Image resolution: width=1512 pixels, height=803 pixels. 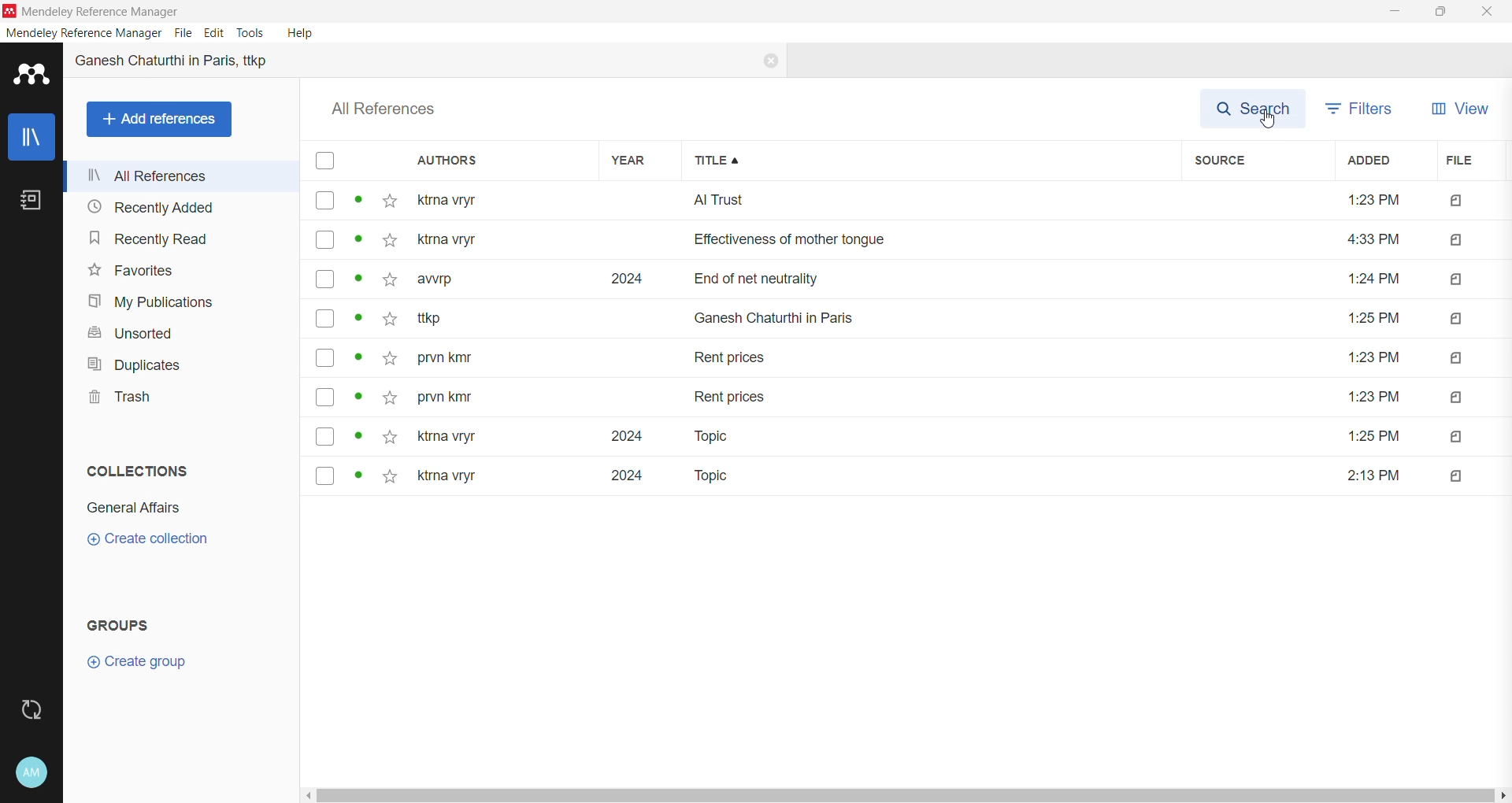 I want to click on Click to Create Group, so click(x=135, y=666).